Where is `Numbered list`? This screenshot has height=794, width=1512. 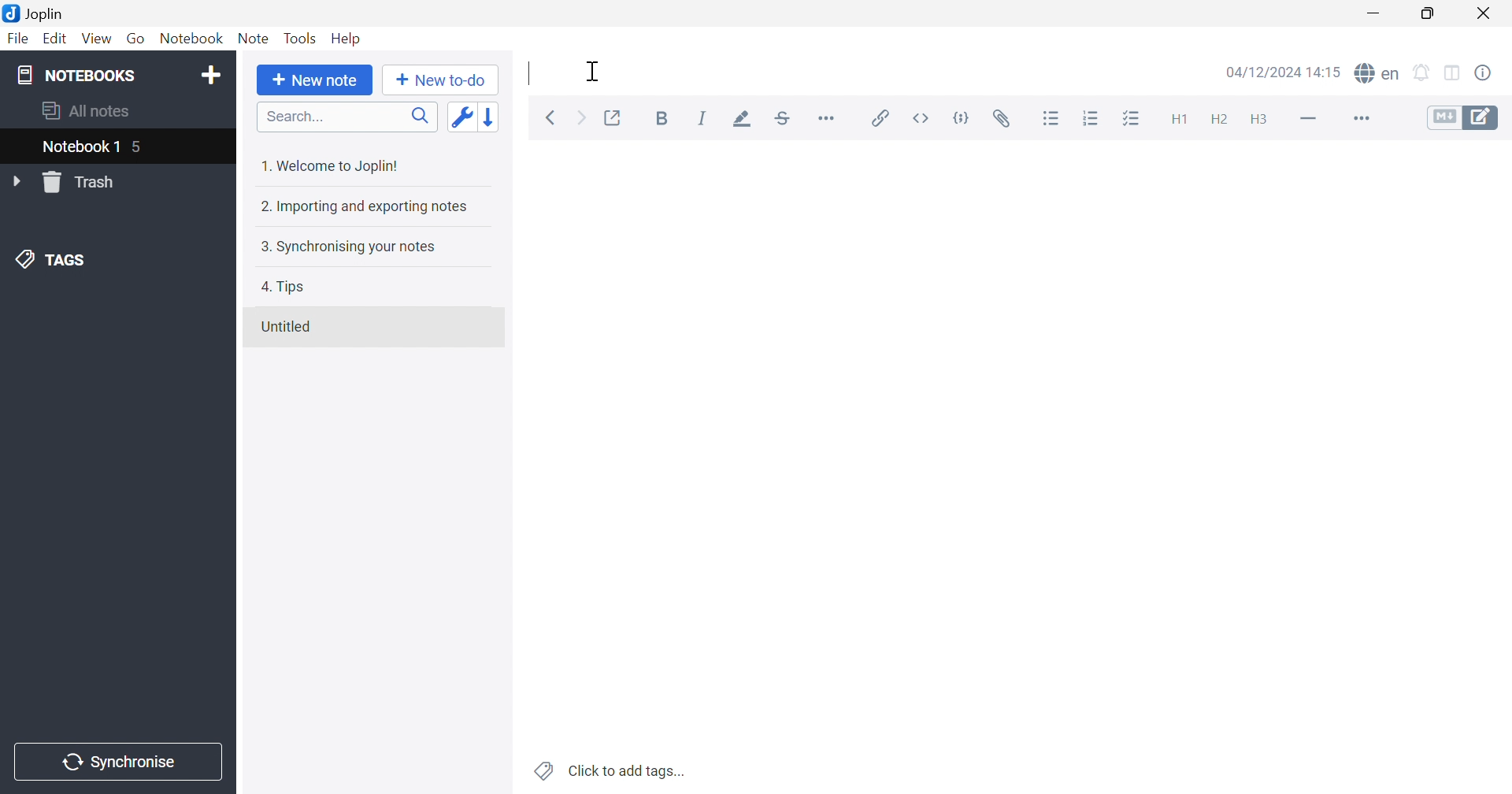
Numbered list is located at coordinates (1092, 118).